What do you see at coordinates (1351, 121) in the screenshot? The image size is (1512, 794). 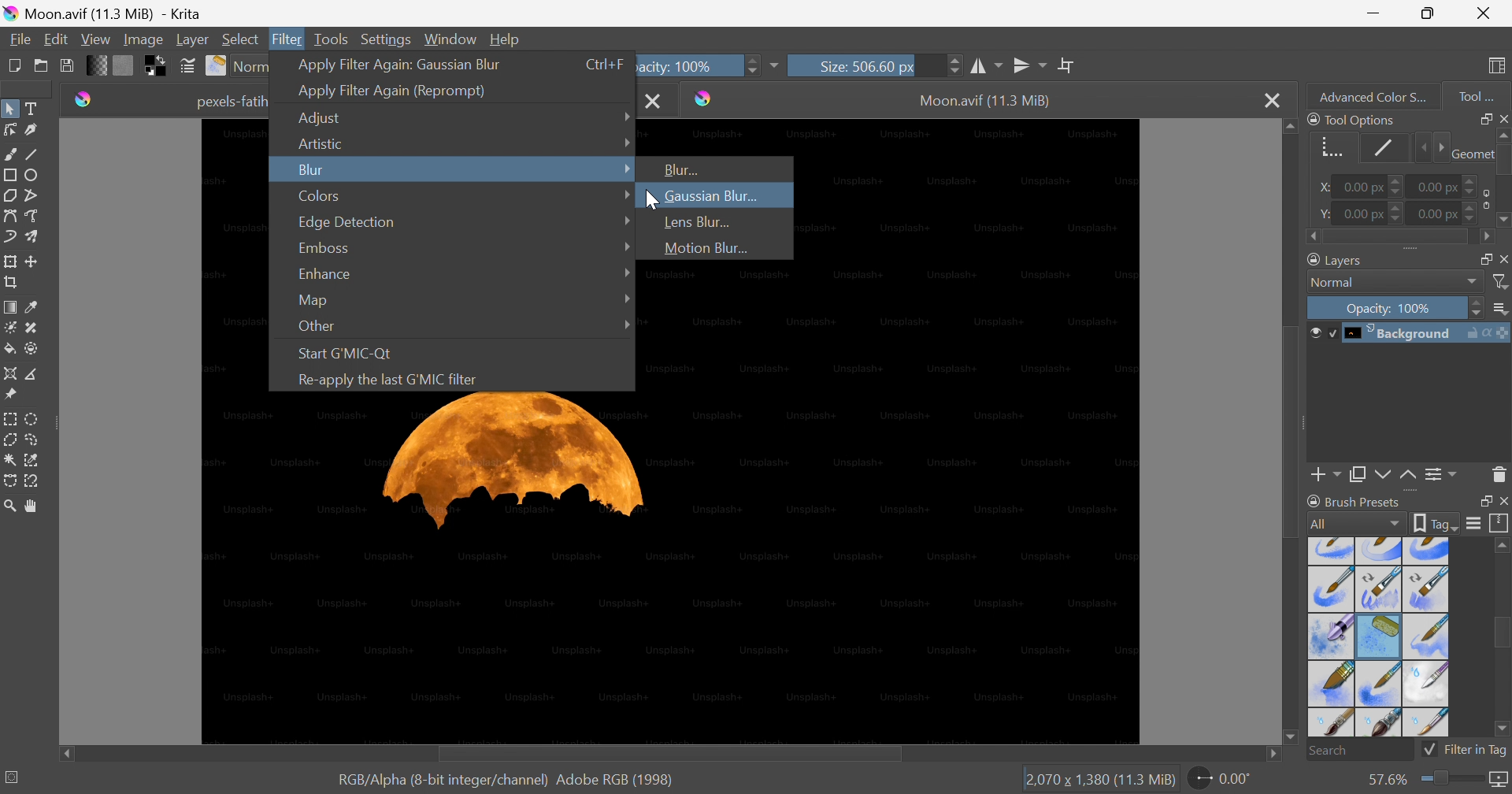 I see `` at bounding box center [1351, 121].